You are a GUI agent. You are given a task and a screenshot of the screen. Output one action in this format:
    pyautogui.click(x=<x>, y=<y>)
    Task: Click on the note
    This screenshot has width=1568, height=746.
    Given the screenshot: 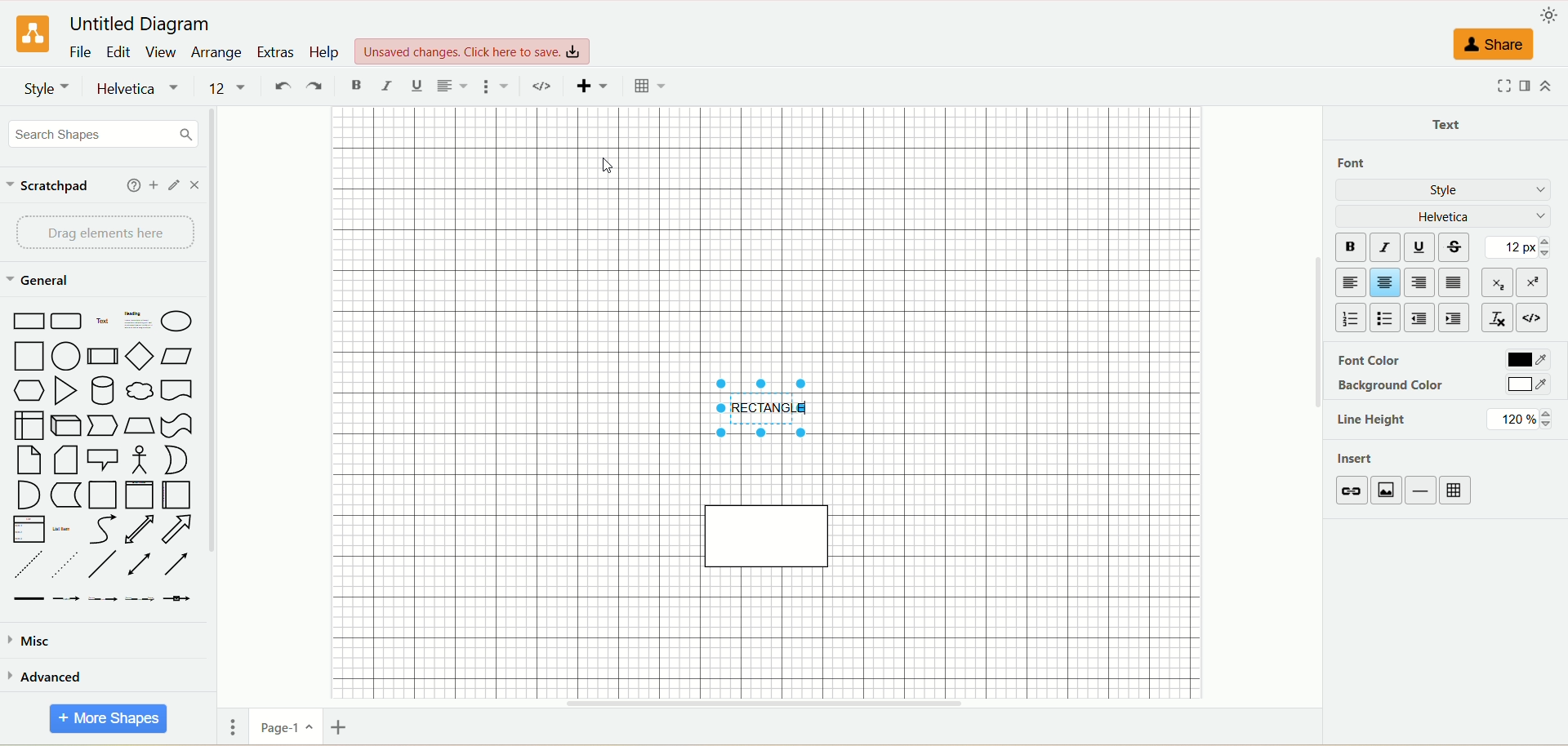 What is the action you would take?
    pyautogui.click(x=28, y=460)
    